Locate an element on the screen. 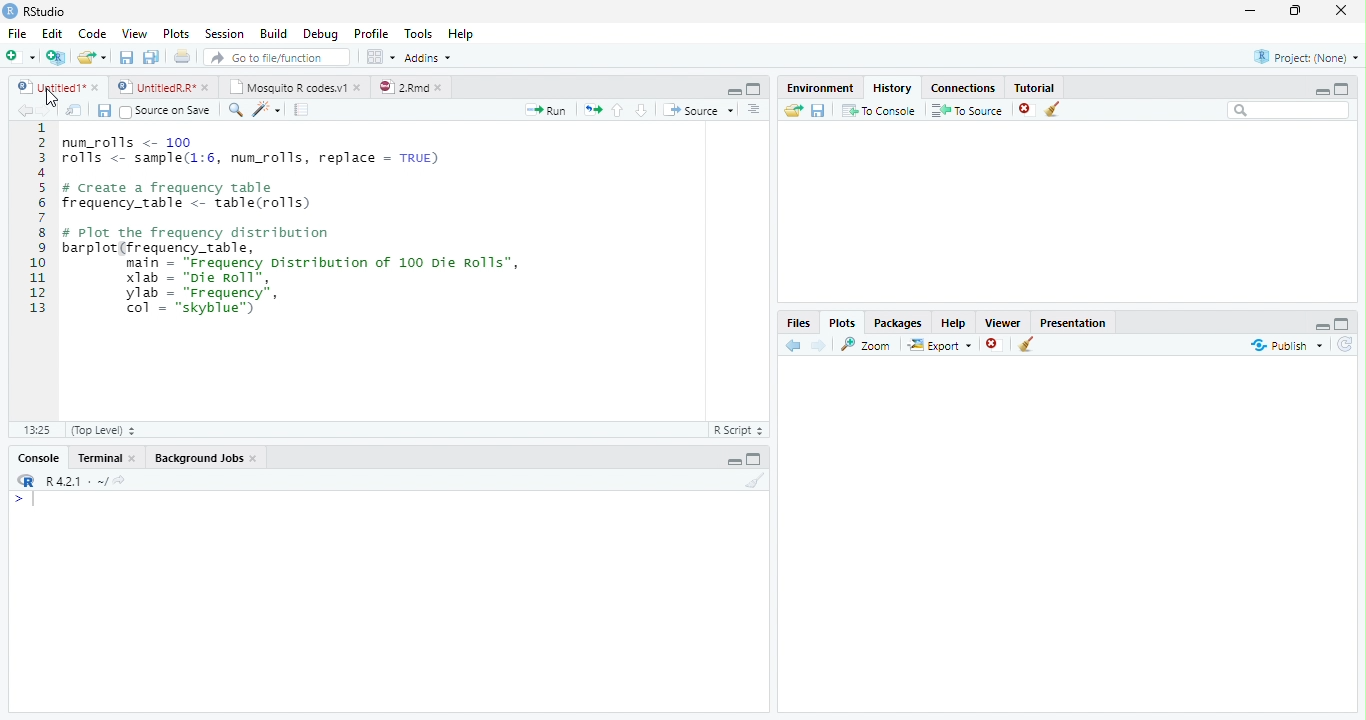 The height and width of the screenshot is (720, 1366). Load History from existing file is located at coordinates (793, 110).